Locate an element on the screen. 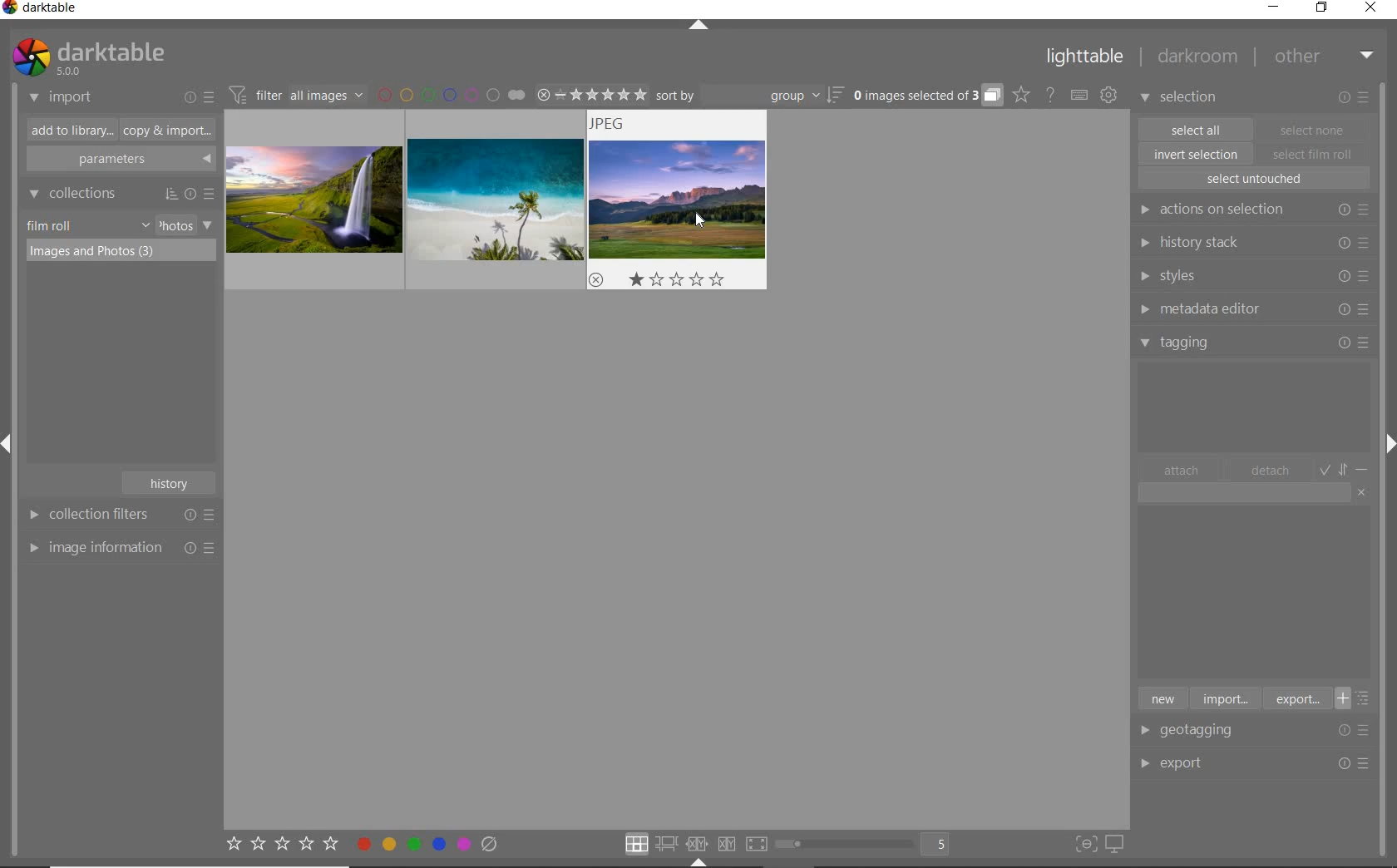 The height and width of the screenshot is (868, 1397). toggle color label of selected images is located at coordinates (428, 843).